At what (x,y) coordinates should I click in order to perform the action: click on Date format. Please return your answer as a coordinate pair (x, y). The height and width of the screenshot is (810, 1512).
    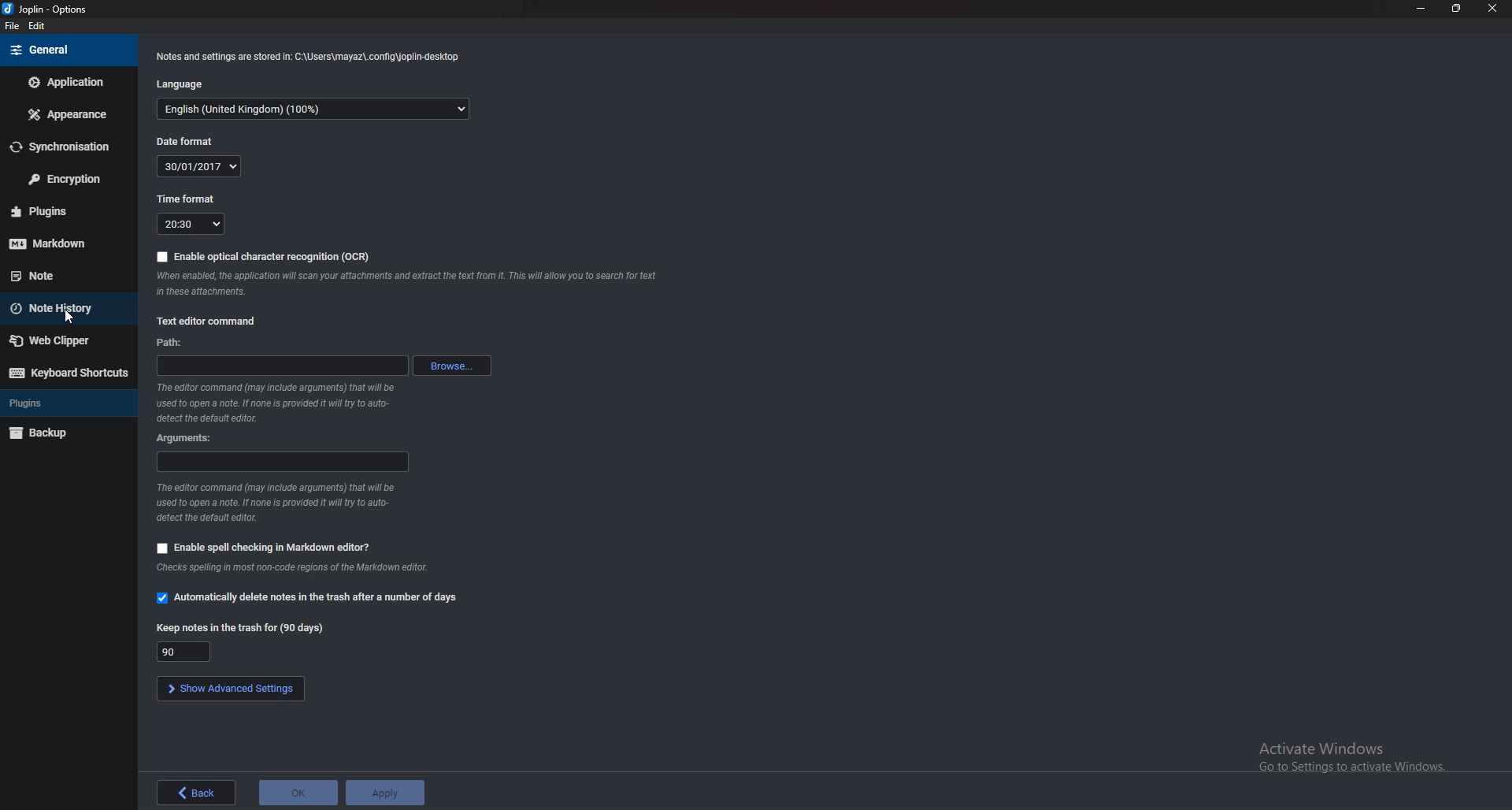
    Looking at the image, I should click on (190, 140).